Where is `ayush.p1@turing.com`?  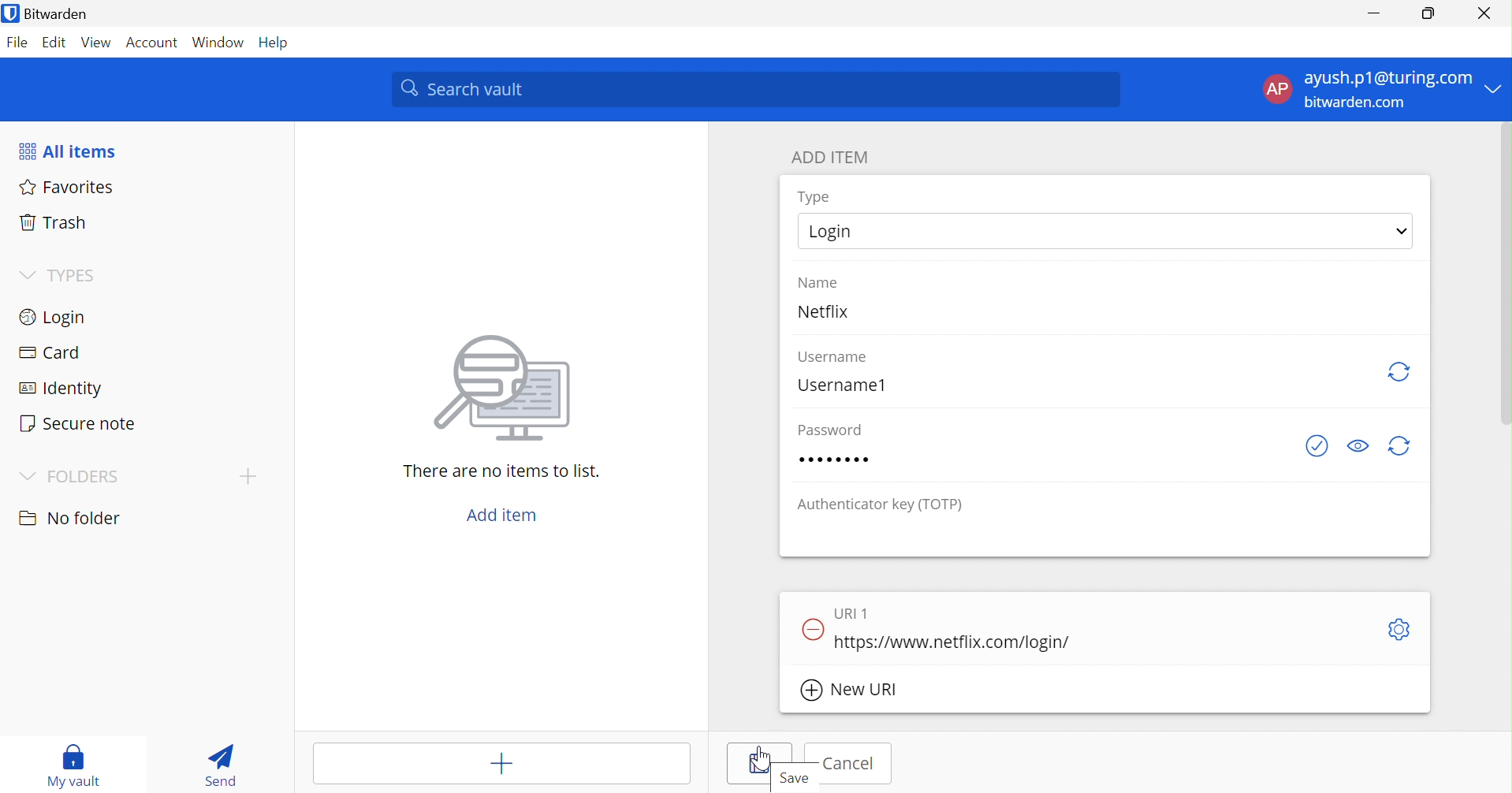
ayush.p1@turing.com is located at coordinates (1387, 76).